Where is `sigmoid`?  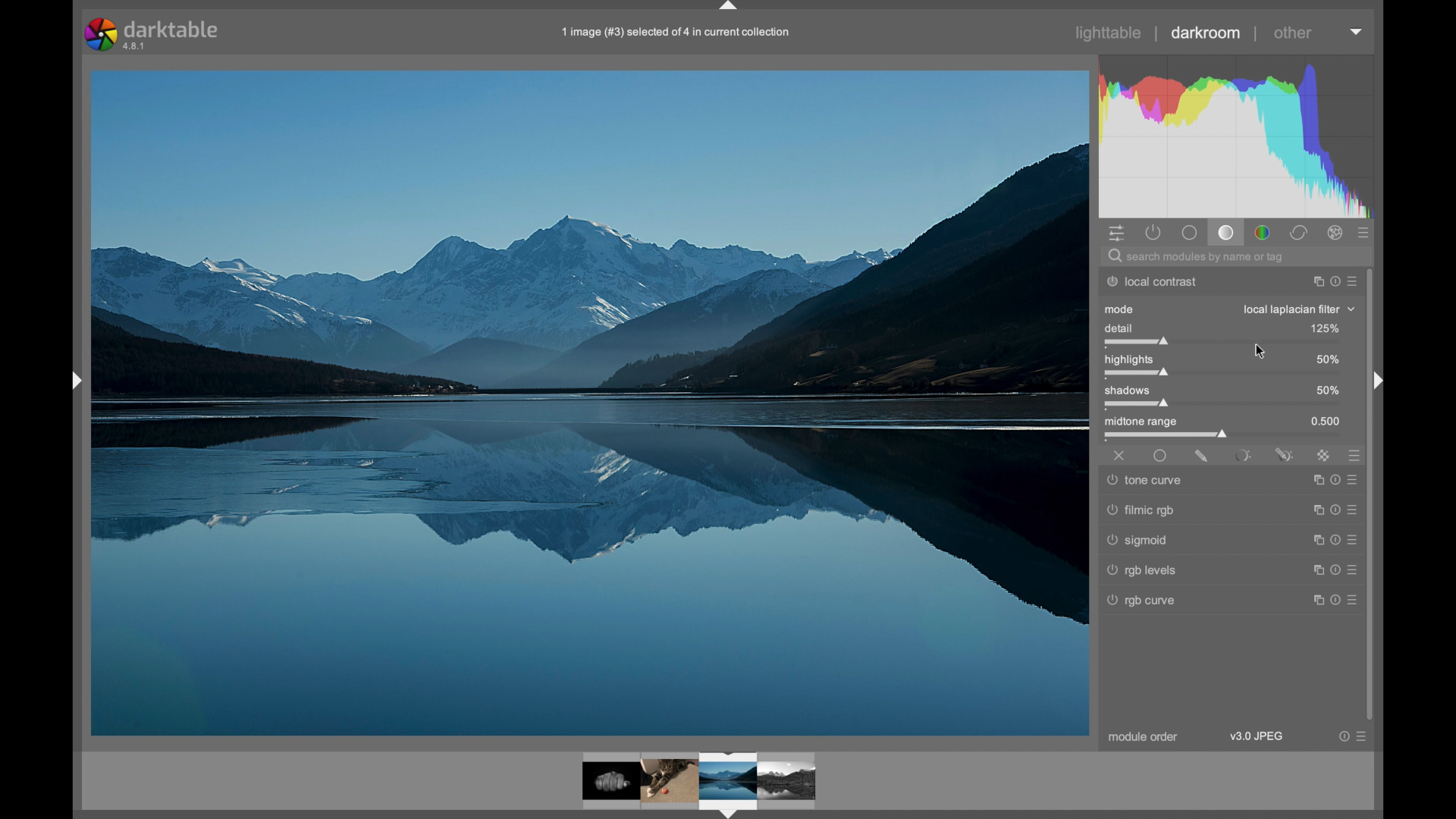
sigmoid is located at coordinates (1137, 539).